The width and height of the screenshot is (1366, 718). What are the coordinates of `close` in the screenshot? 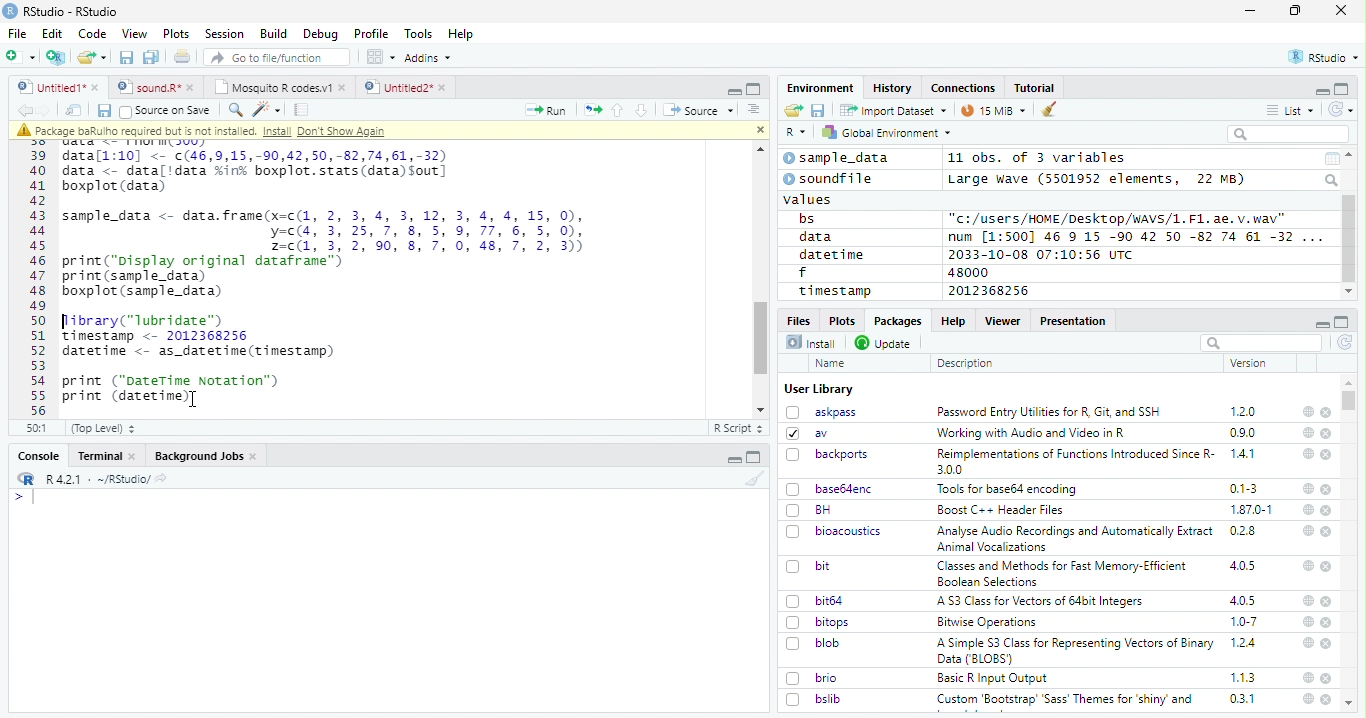 It's located at (757, 128).